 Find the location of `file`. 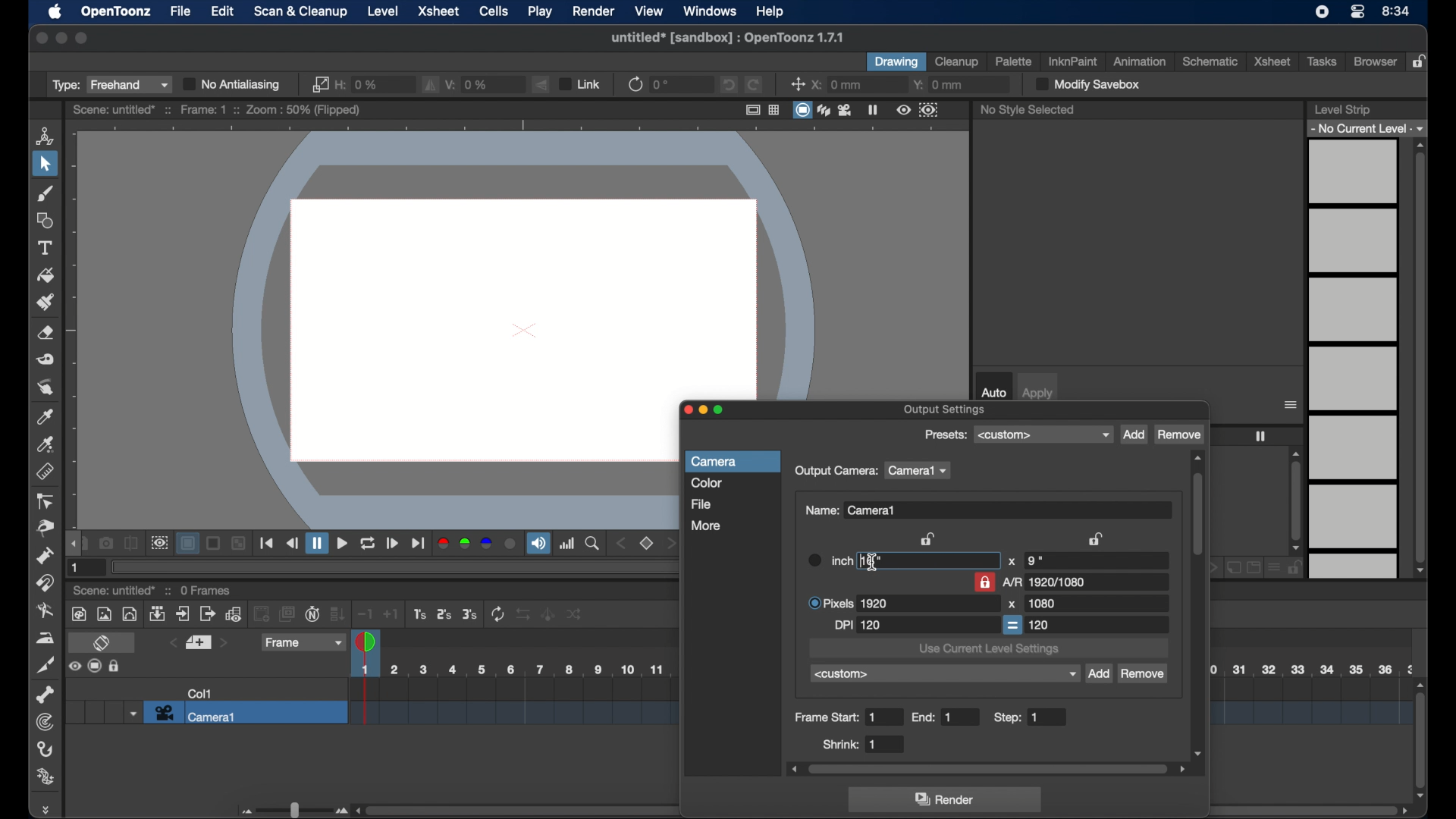

file is located at coordinates (181, 11).